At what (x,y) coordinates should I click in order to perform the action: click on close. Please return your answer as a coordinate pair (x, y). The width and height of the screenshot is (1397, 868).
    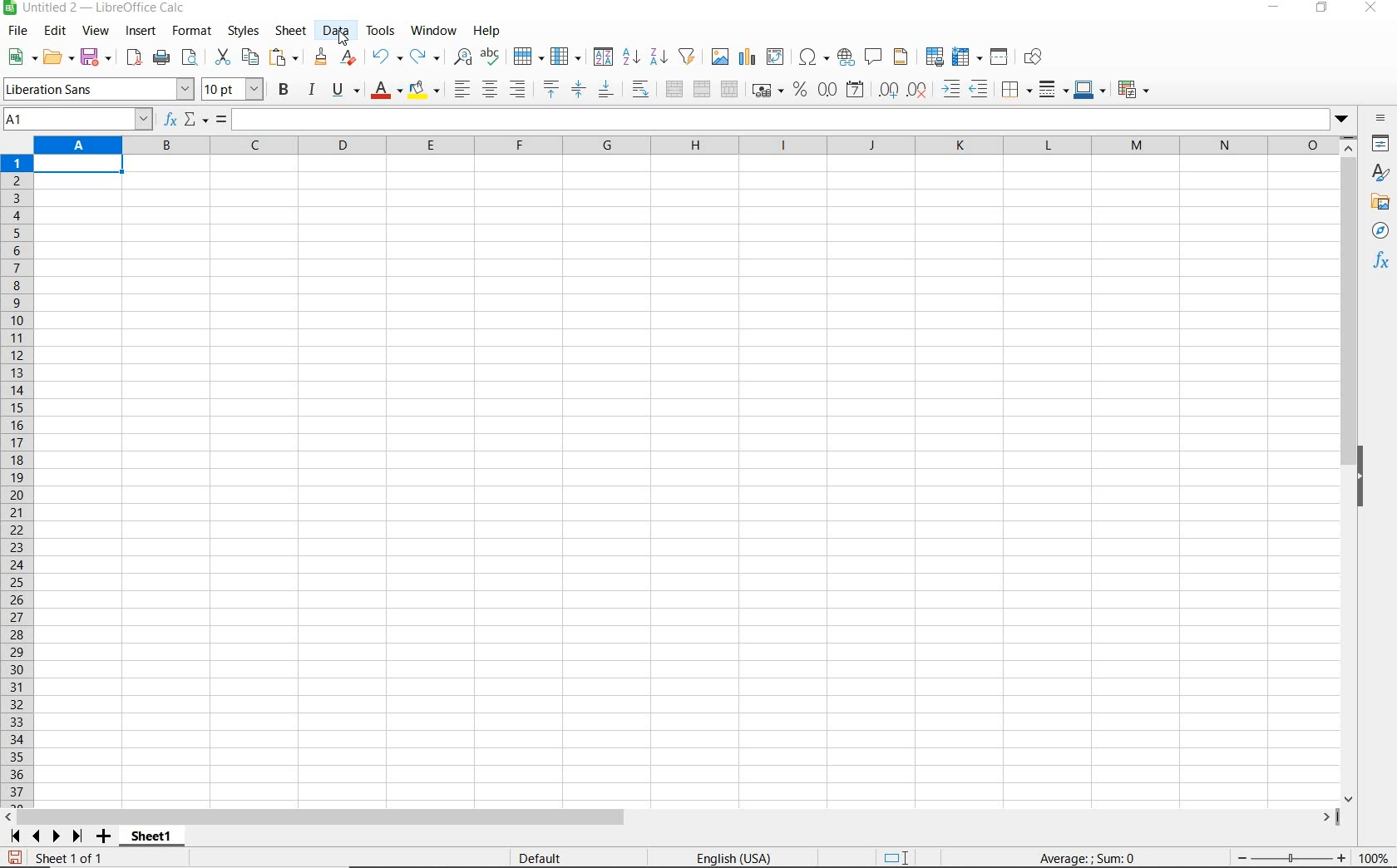
    Looking at the image, I should click on (1370, 8).